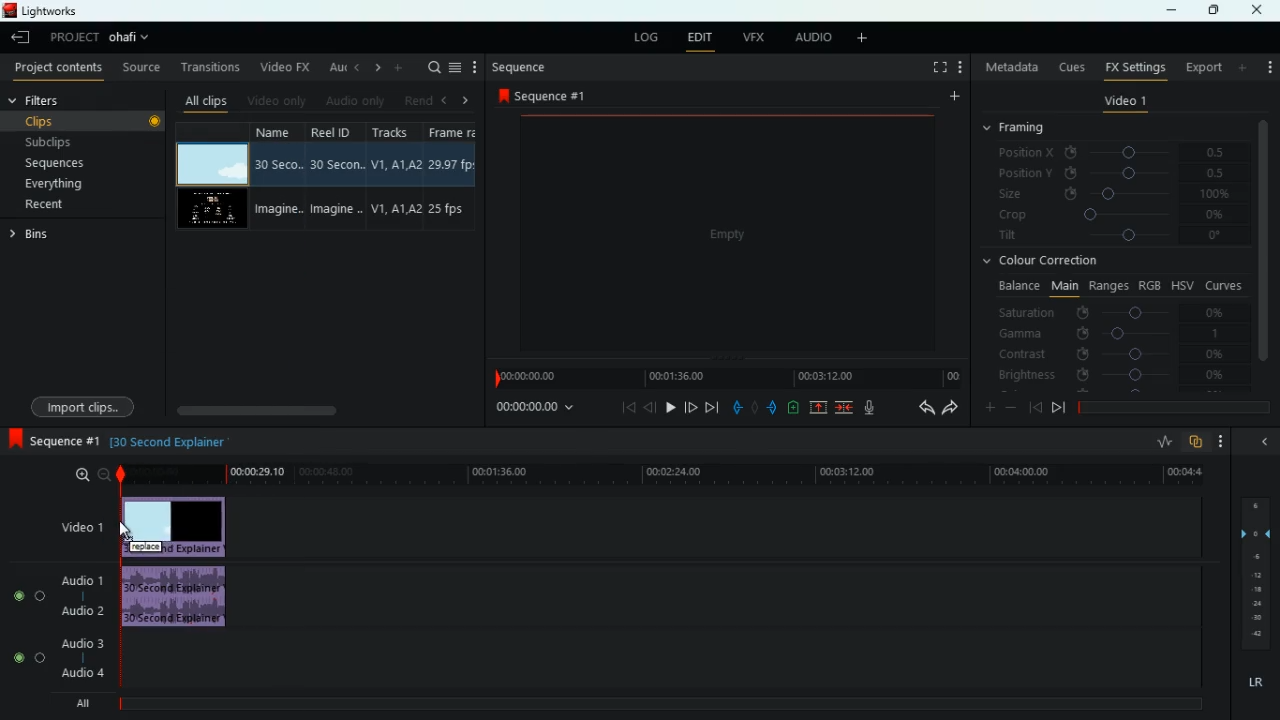 The height and width of the screenshot is (720, 1280). I want to click on project, so click(102, 38).